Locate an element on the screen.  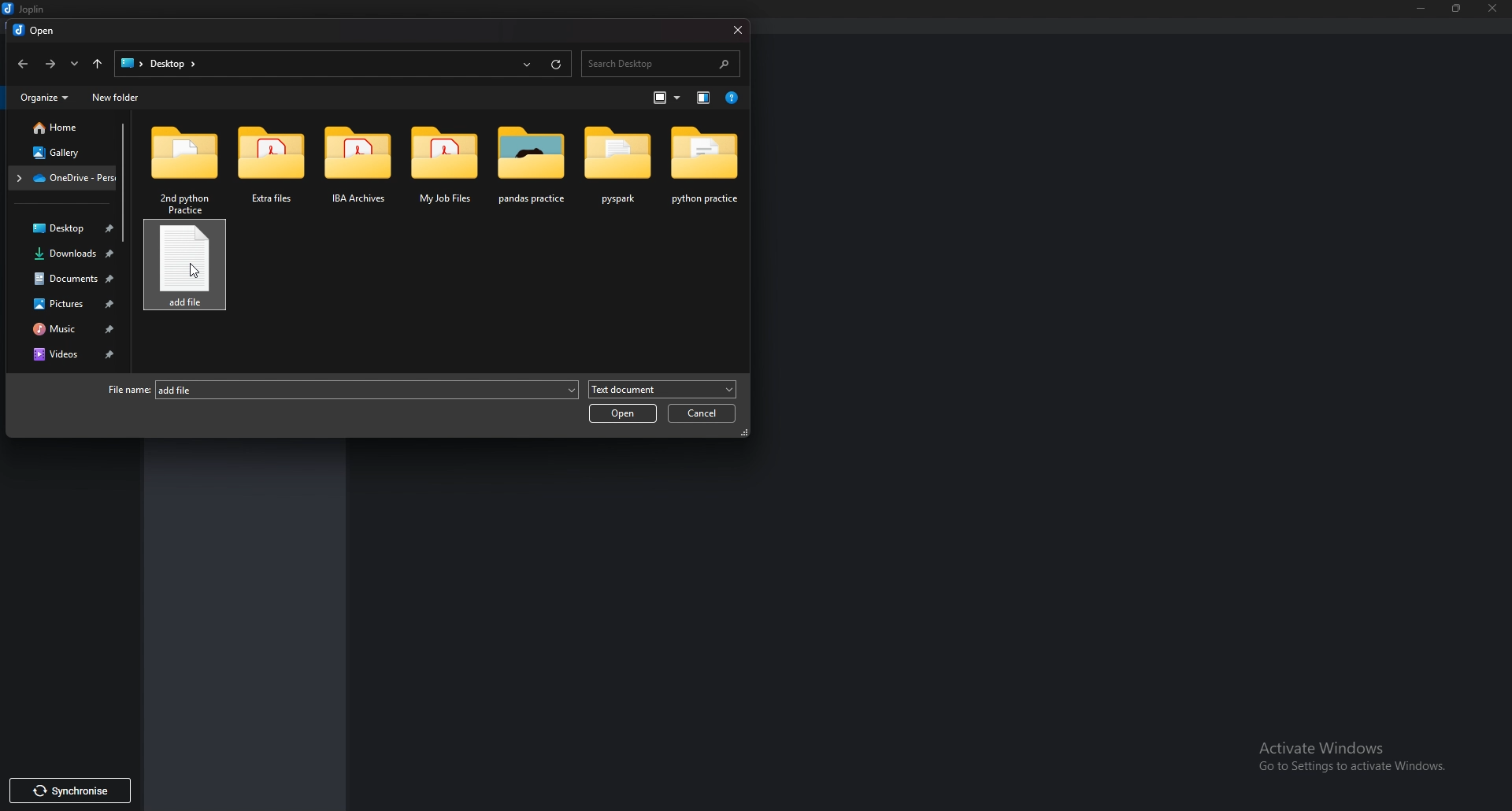
Documents is located at coordinates (72, 278).